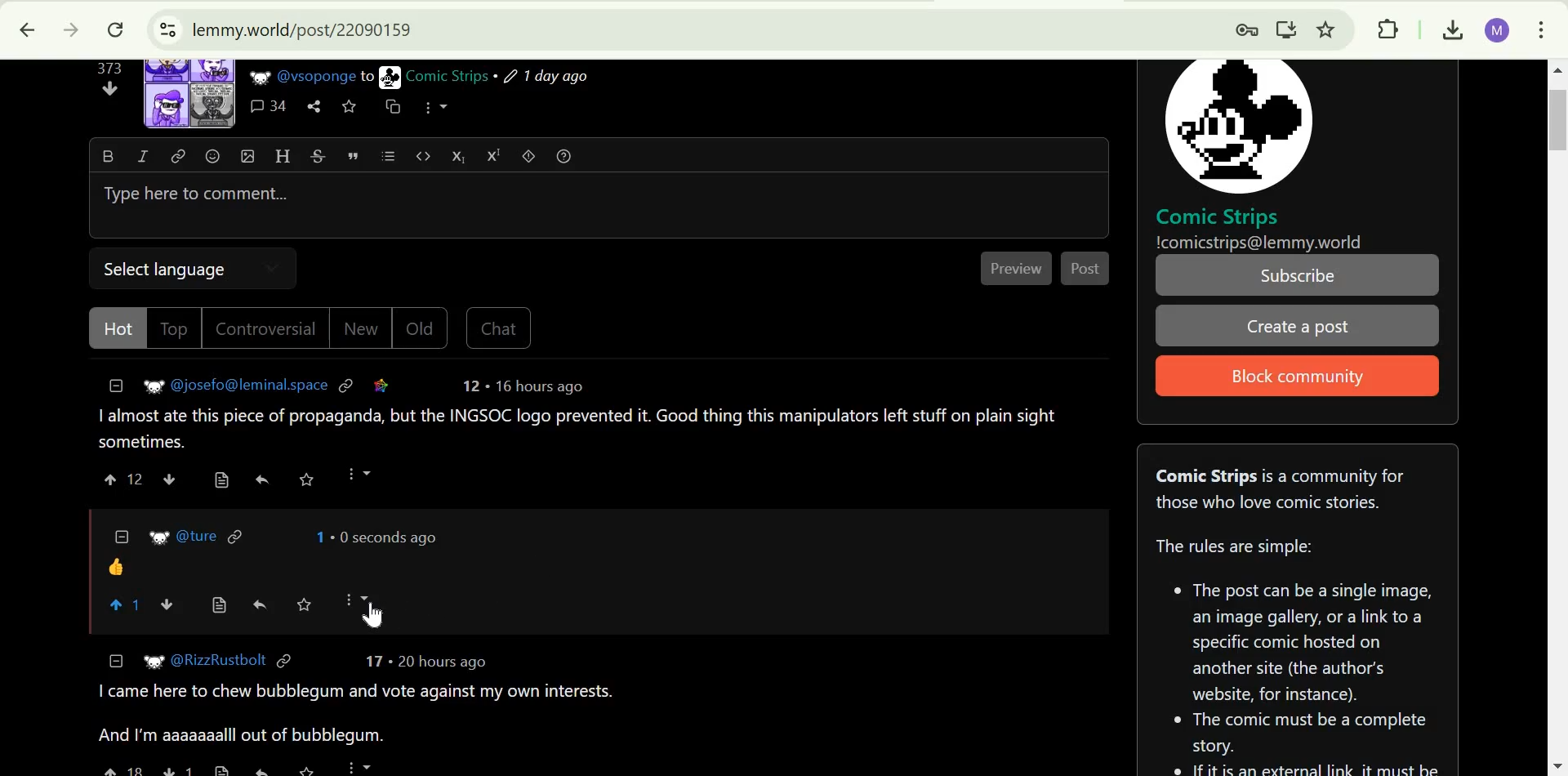  I want to click on 12 points, so click(136, 479).